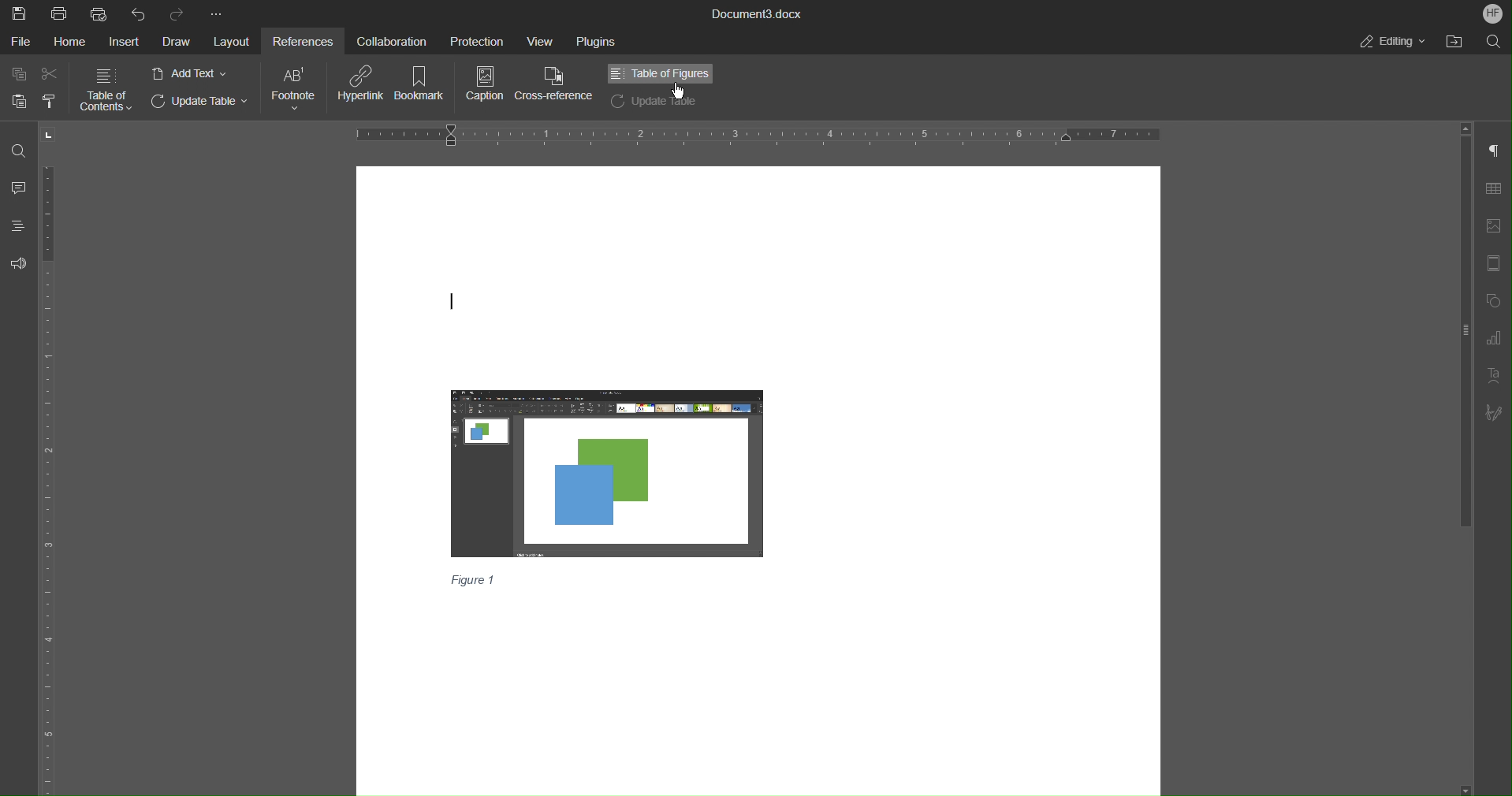  Describe the element at coordinates (17, 264) in the screenshot. I see `Feedback and Support` at that location.